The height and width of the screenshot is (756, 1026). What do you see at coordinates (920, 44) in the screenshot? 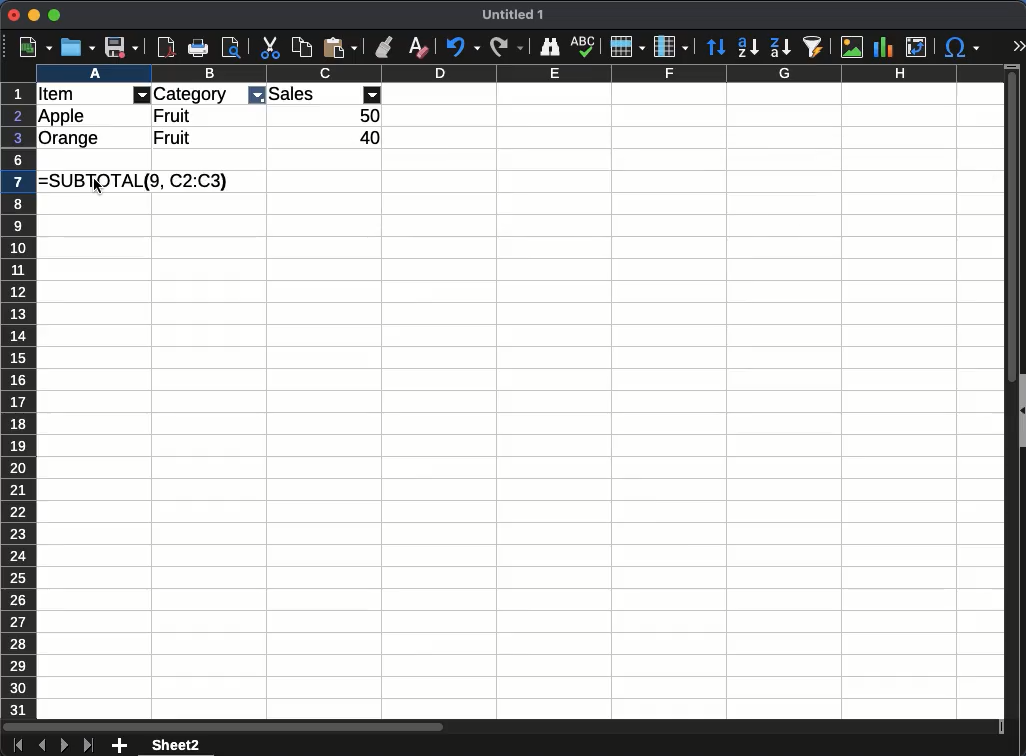
I see `pivot table` at bounding box center [920, 44].